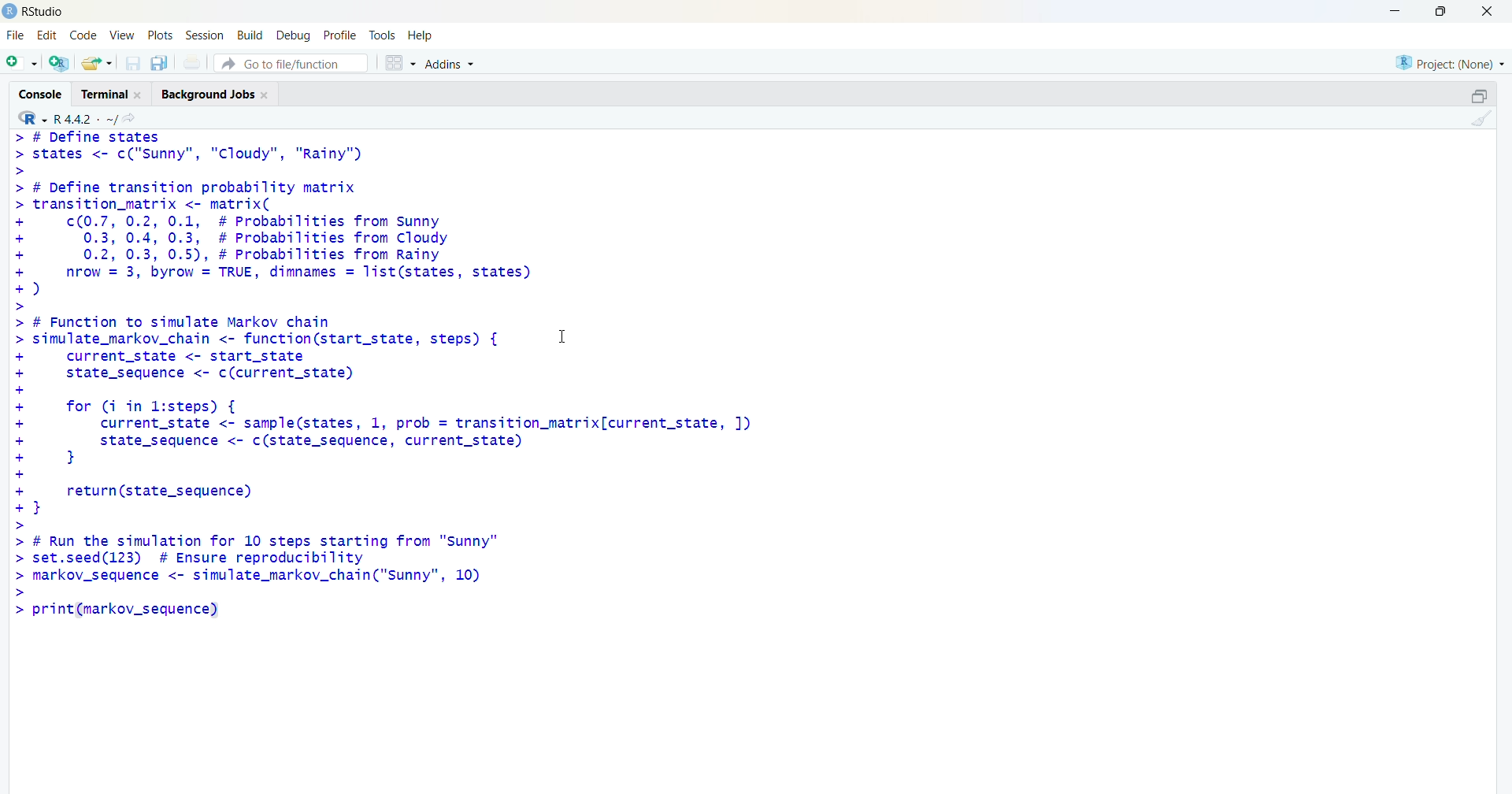 Image resolution: width=1512 pixels, height=794 pixels. What do you see at coordinates (39, 93) in the screenshot?
I see `console` at bounding box center [39, 93].